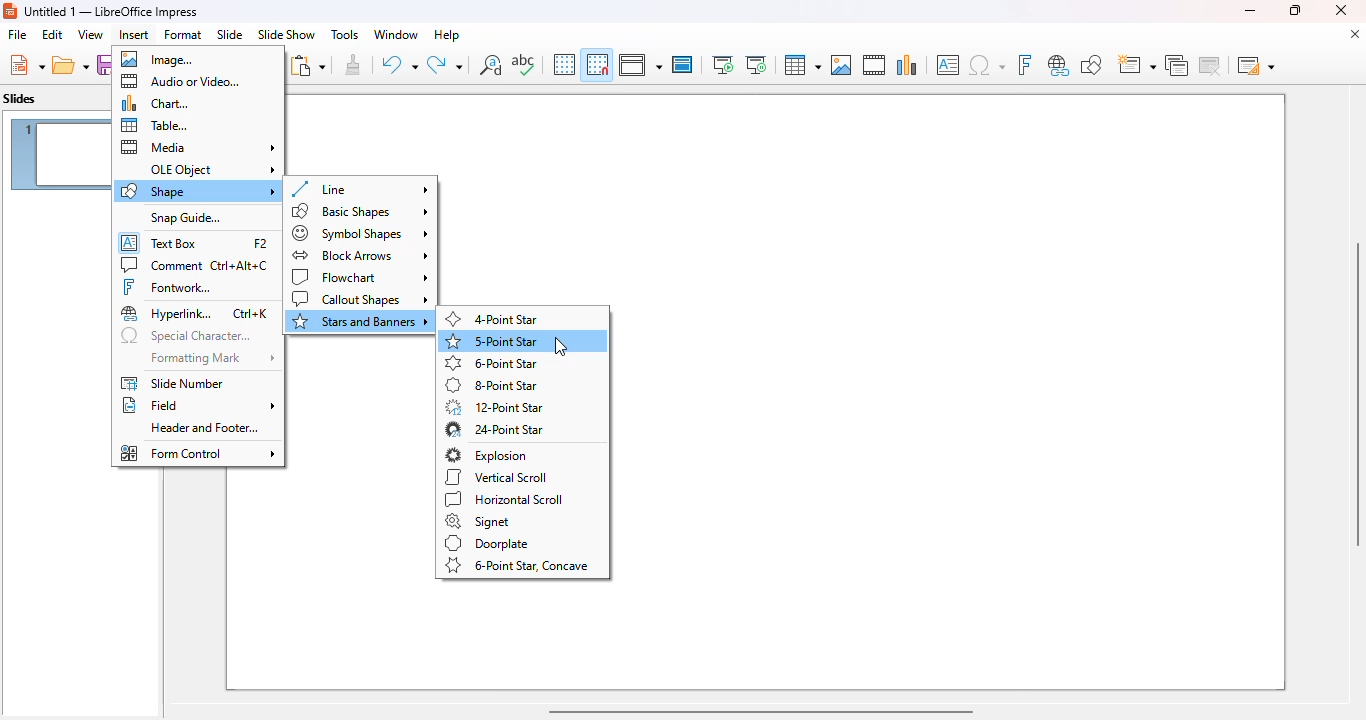  I want to click on minimize, so click(1249, 10).